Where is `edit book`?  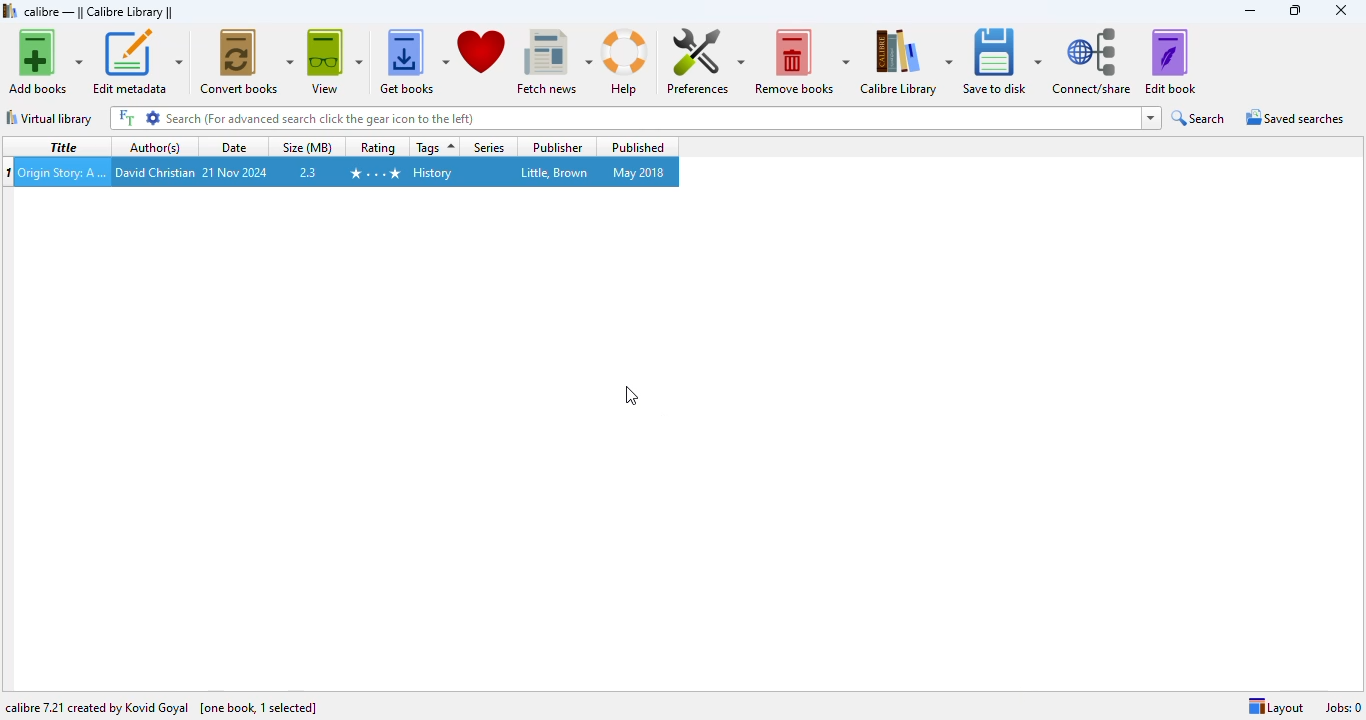 edit book is located at coordinates (1171, 60).